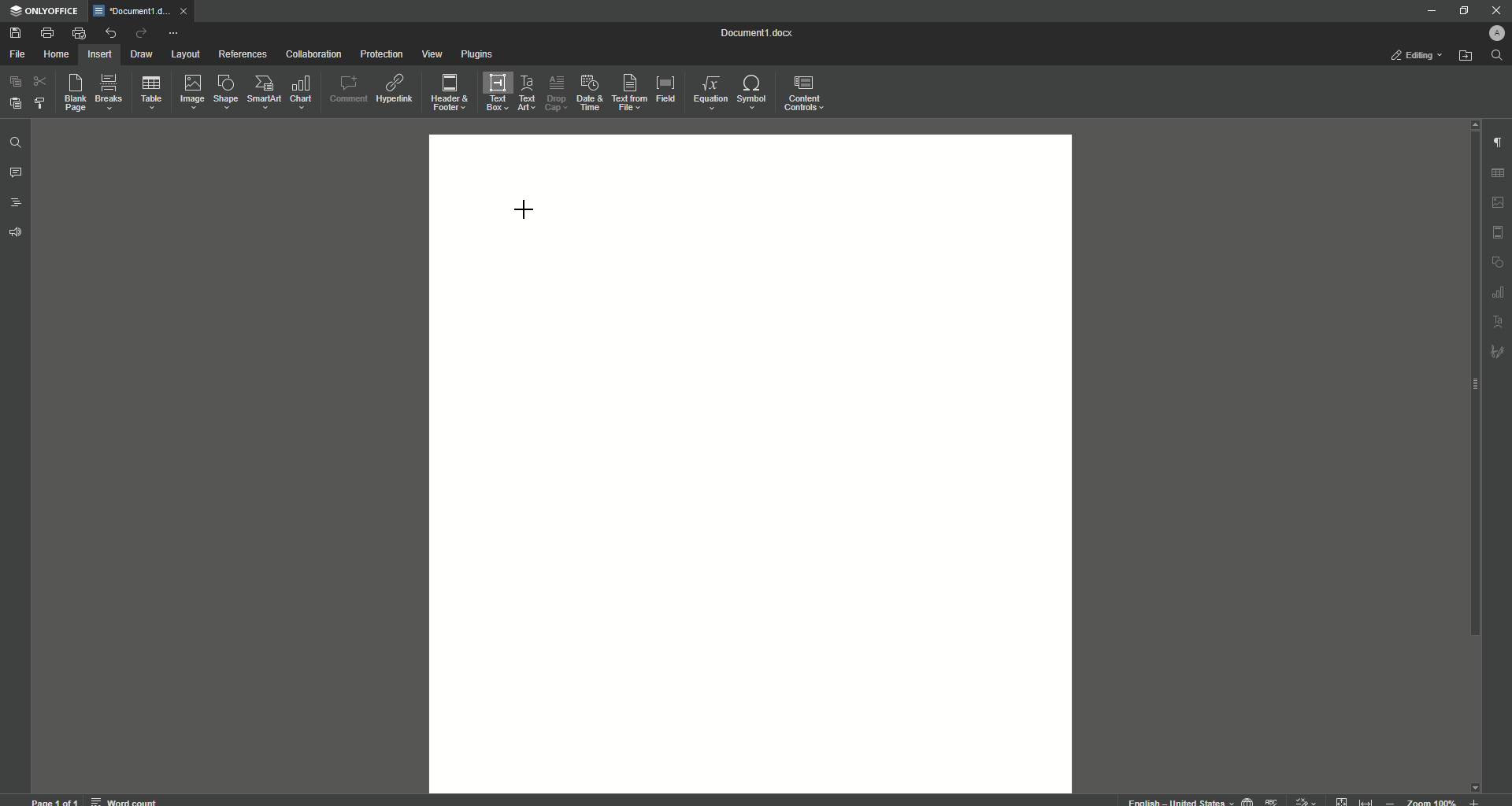 The height and width of the screenshot is (806, 1512). I want to click on Home, so click(56, 55).